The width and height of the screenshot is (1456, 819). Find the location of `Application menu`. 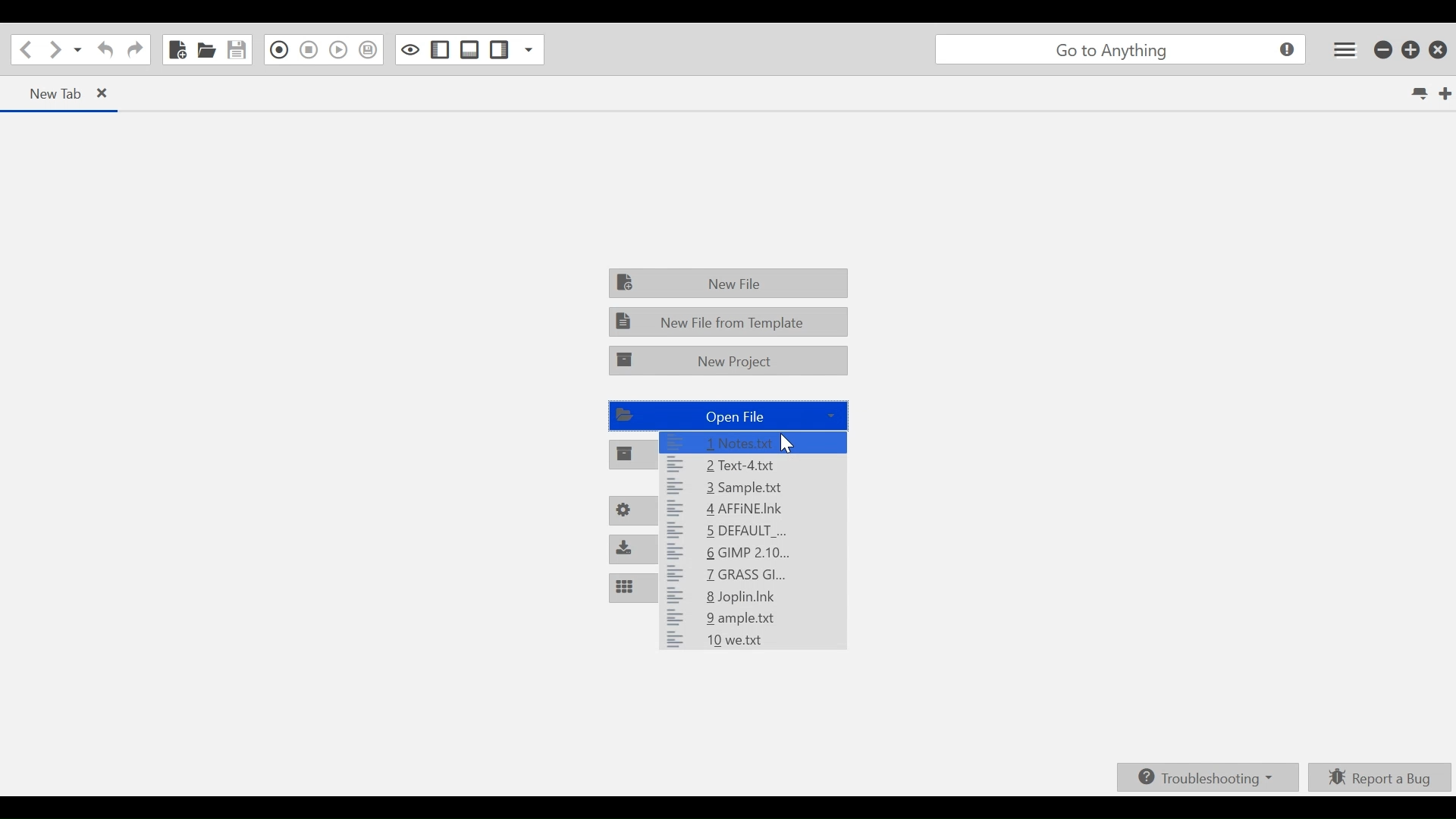

Application menu is located at coordinates (1346, 50).